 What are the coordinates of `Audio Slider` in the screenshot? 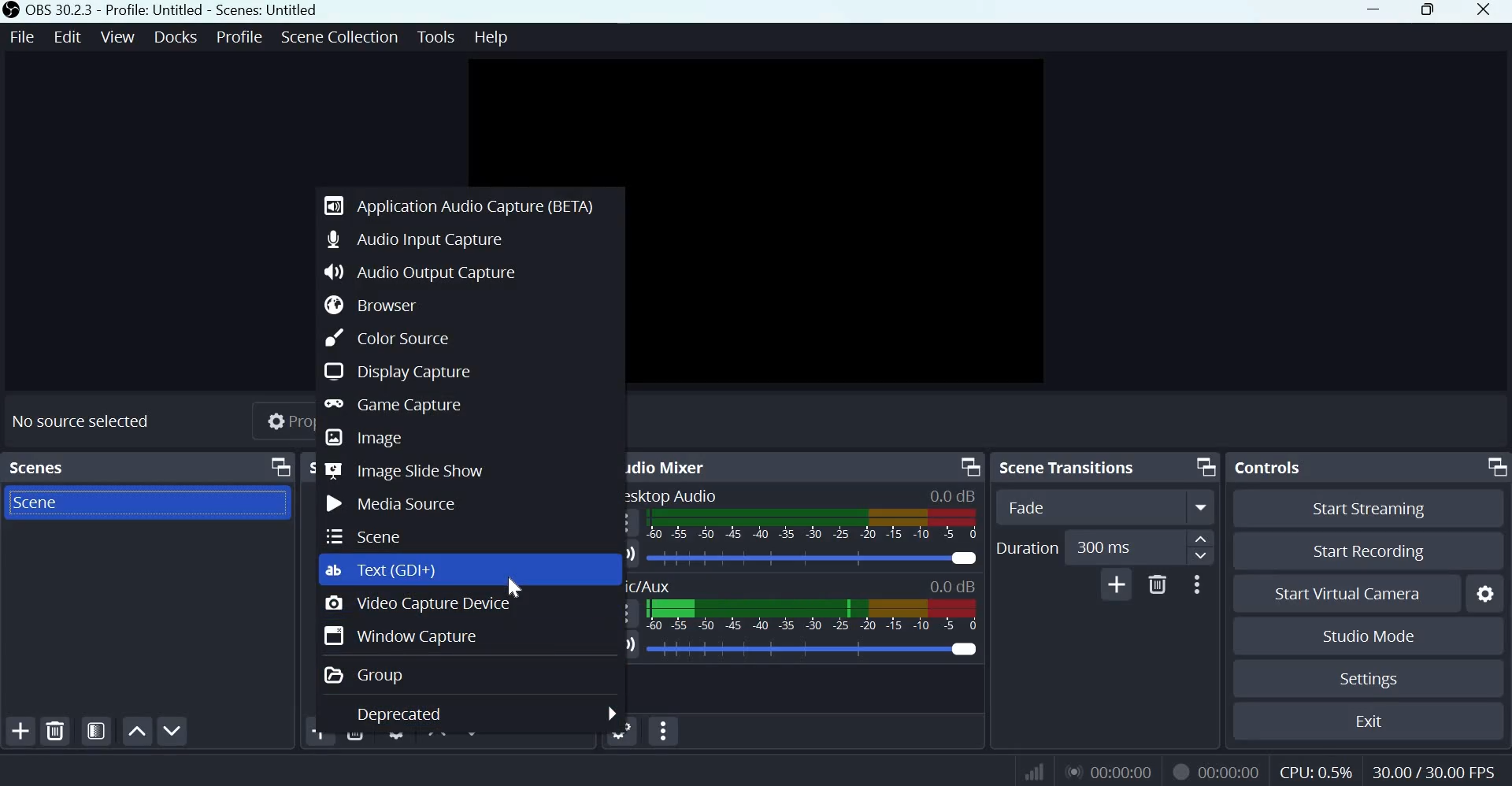 It's located at (813, 558).